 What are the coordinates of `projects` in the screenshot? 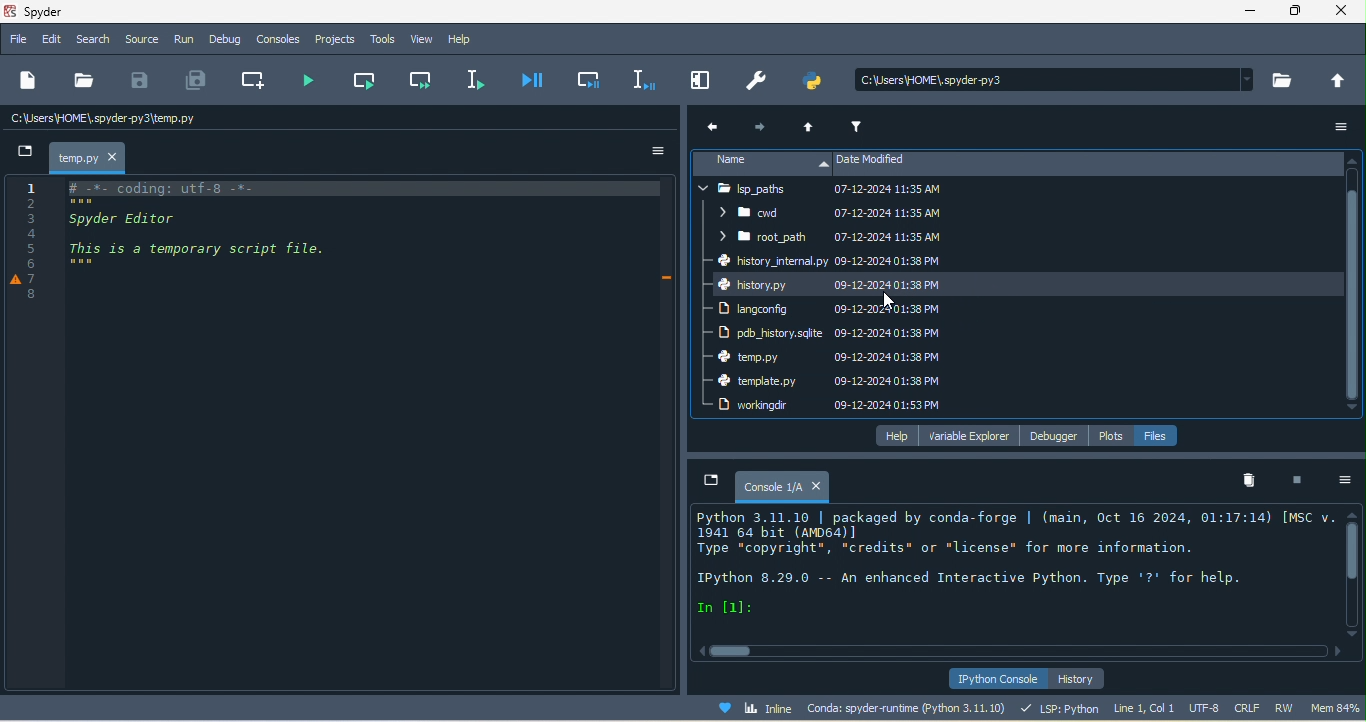 It's located at (333, 40).